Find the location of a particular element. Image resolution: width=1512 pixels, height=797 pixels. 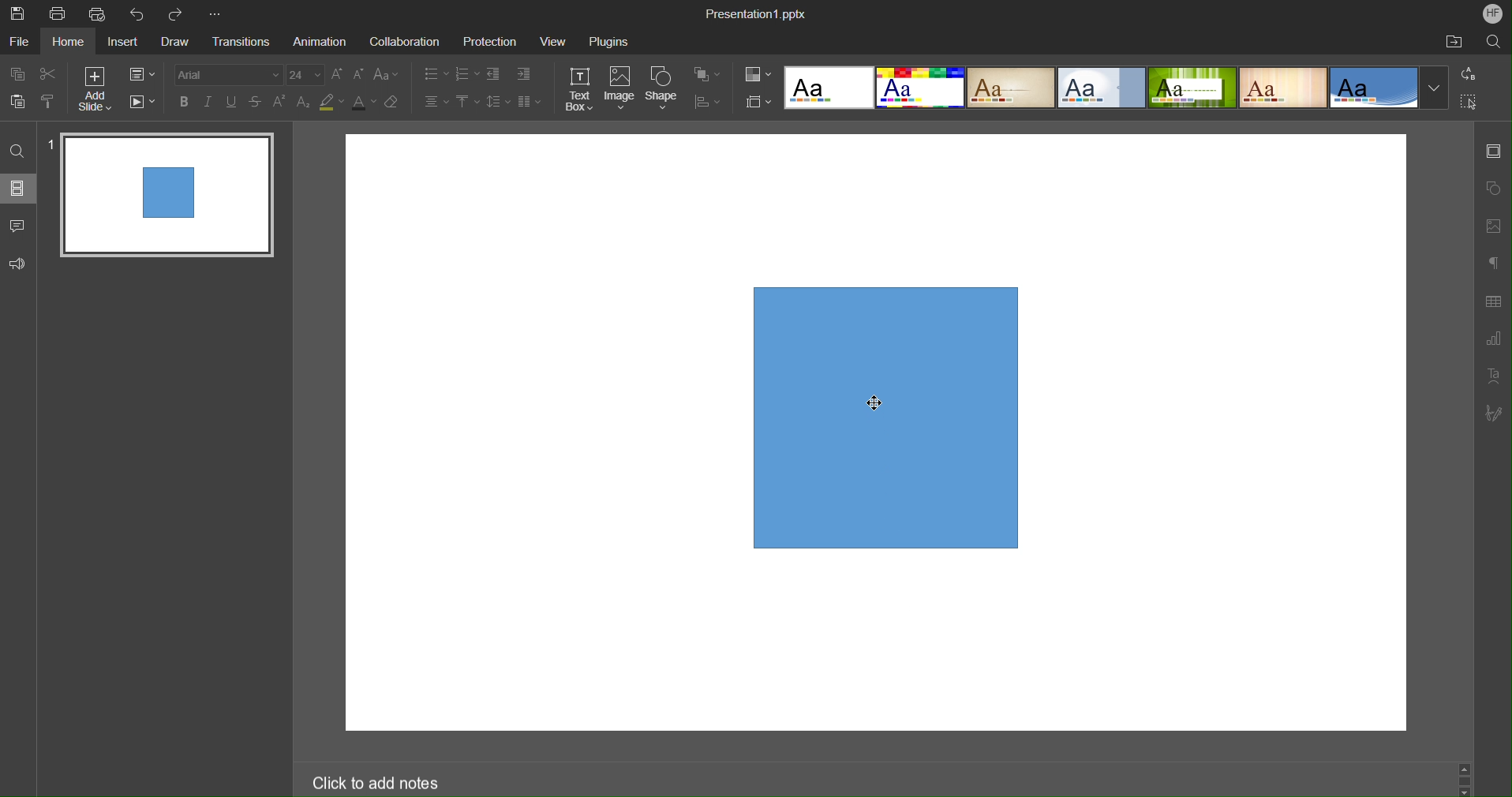

Slide Size is located at coordinates (757, 101).